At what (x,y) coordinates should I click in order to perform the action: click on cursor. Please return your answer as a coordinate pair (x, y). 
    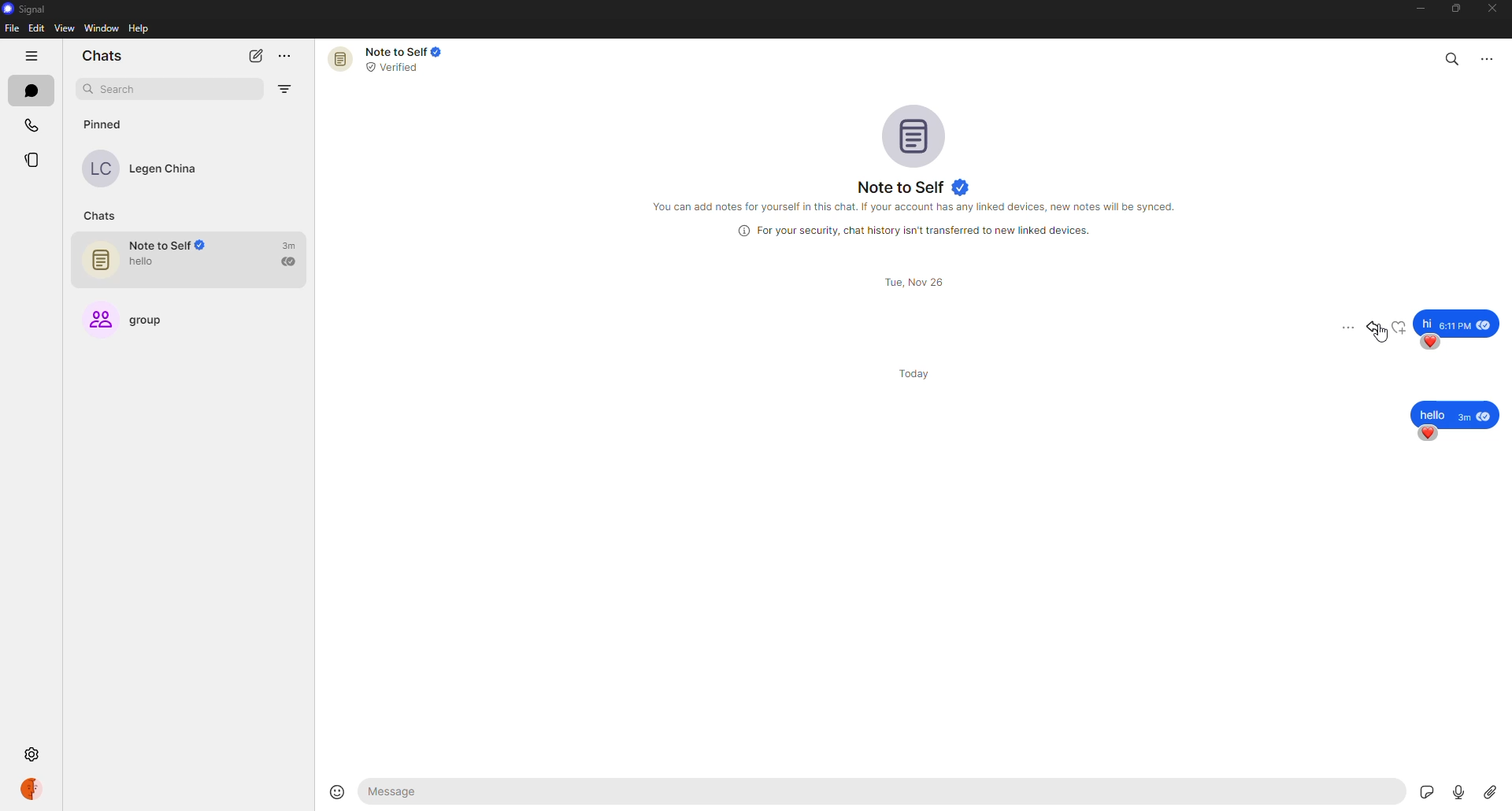
    Looking at the image, I should click on (1384, 339).